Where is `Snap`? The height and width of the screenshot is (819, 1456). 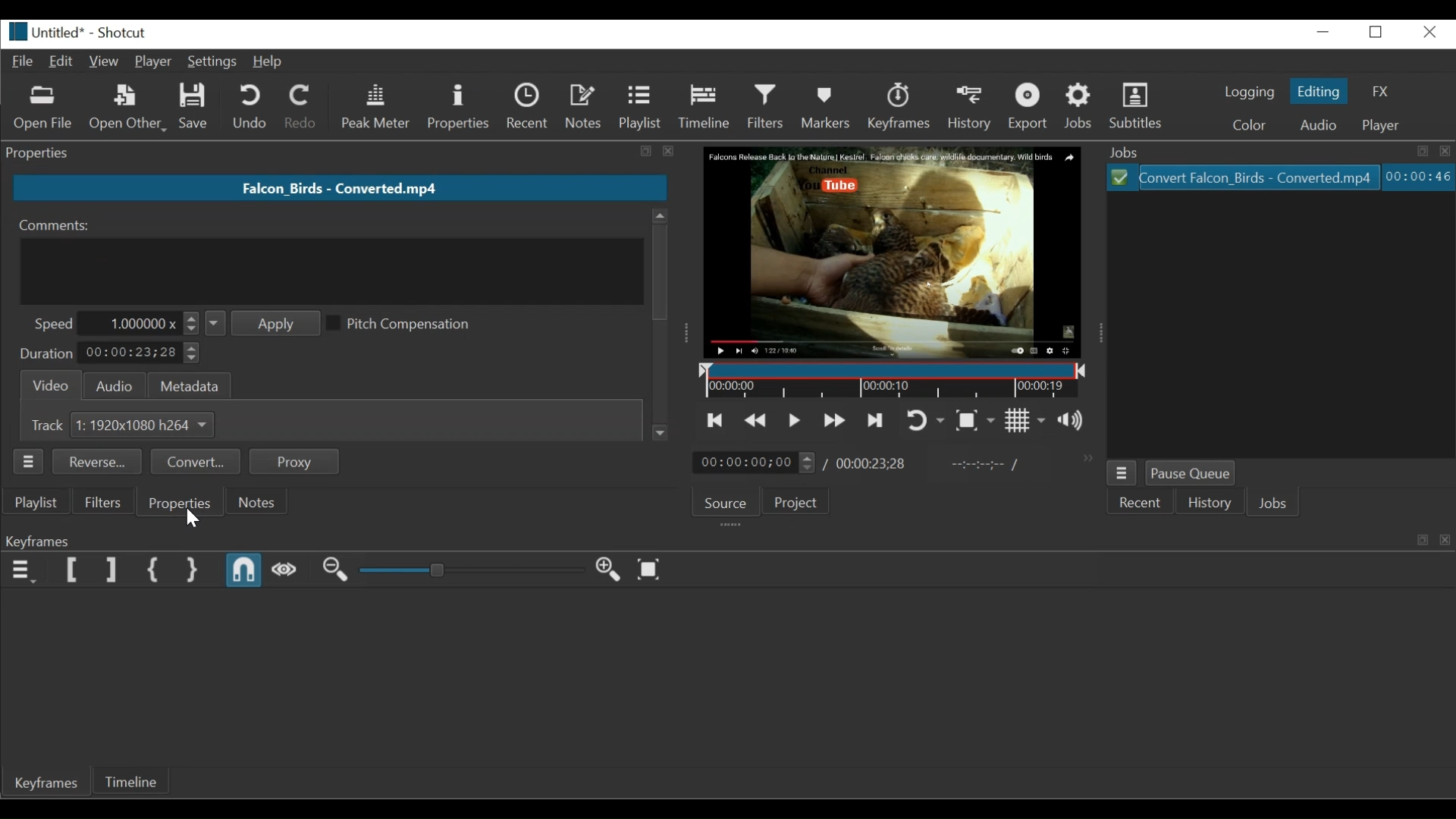 Snap is located at coordinates (243, 572).